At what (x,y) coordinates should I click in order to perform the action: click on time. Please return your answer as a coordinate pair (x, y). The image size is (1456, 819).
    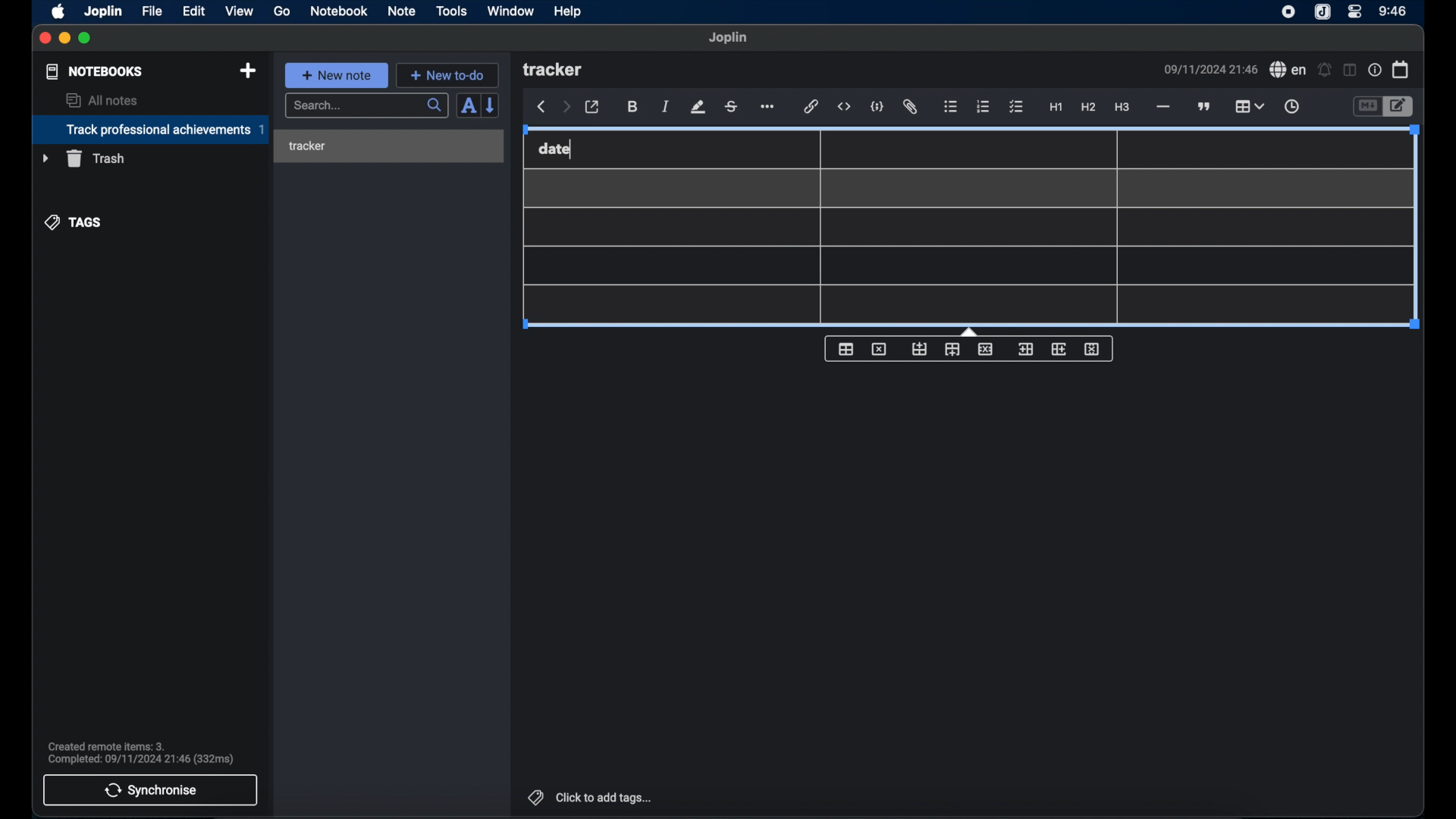
    Looking at the image, I should click on (1393, 11).